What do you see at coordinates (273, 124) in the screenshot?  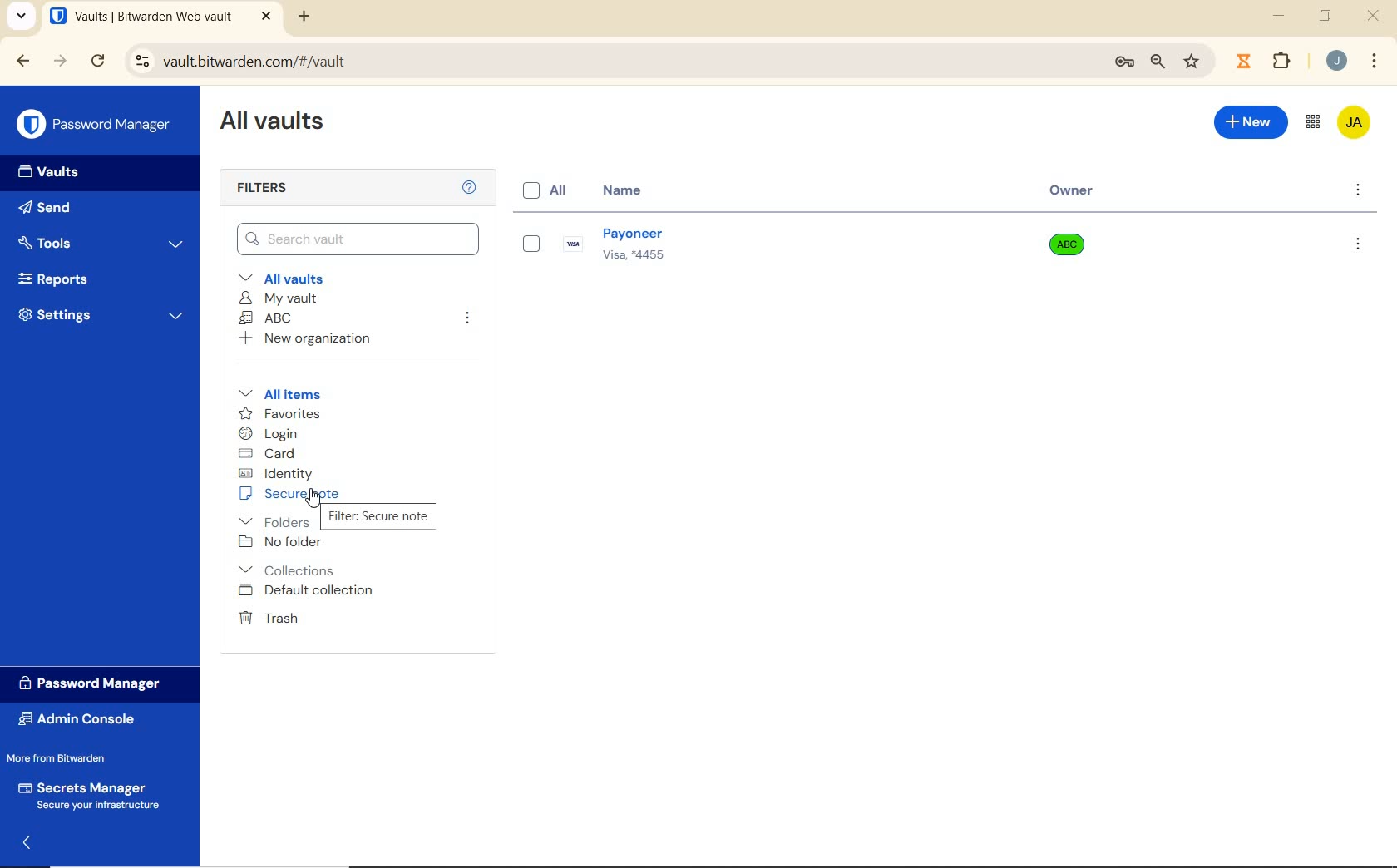 I see `All Vaults` at bounding box center [273, 124].